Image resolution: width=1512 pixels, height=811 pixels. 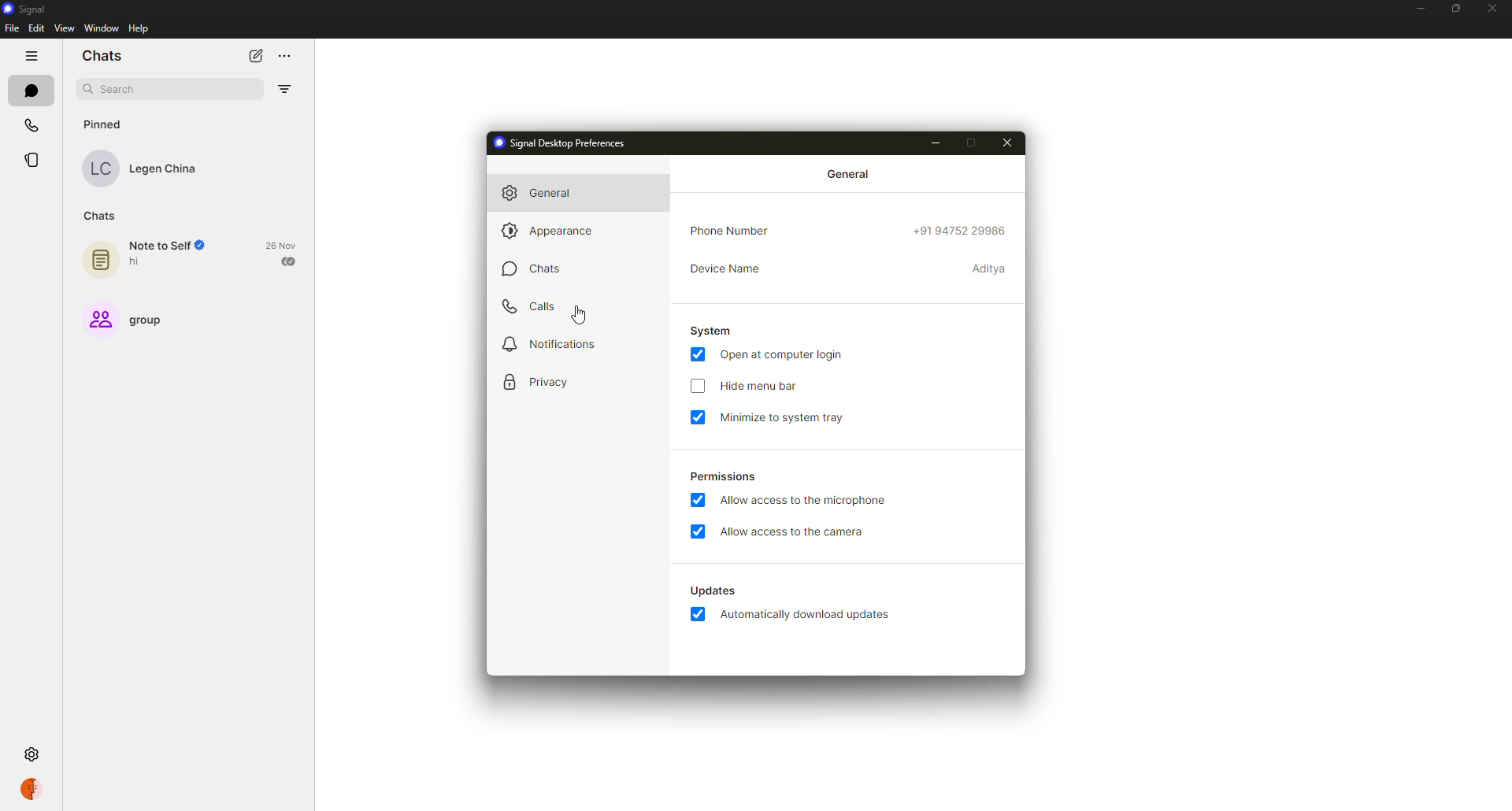 I want to click on new chat, so click(x=251, y=55).